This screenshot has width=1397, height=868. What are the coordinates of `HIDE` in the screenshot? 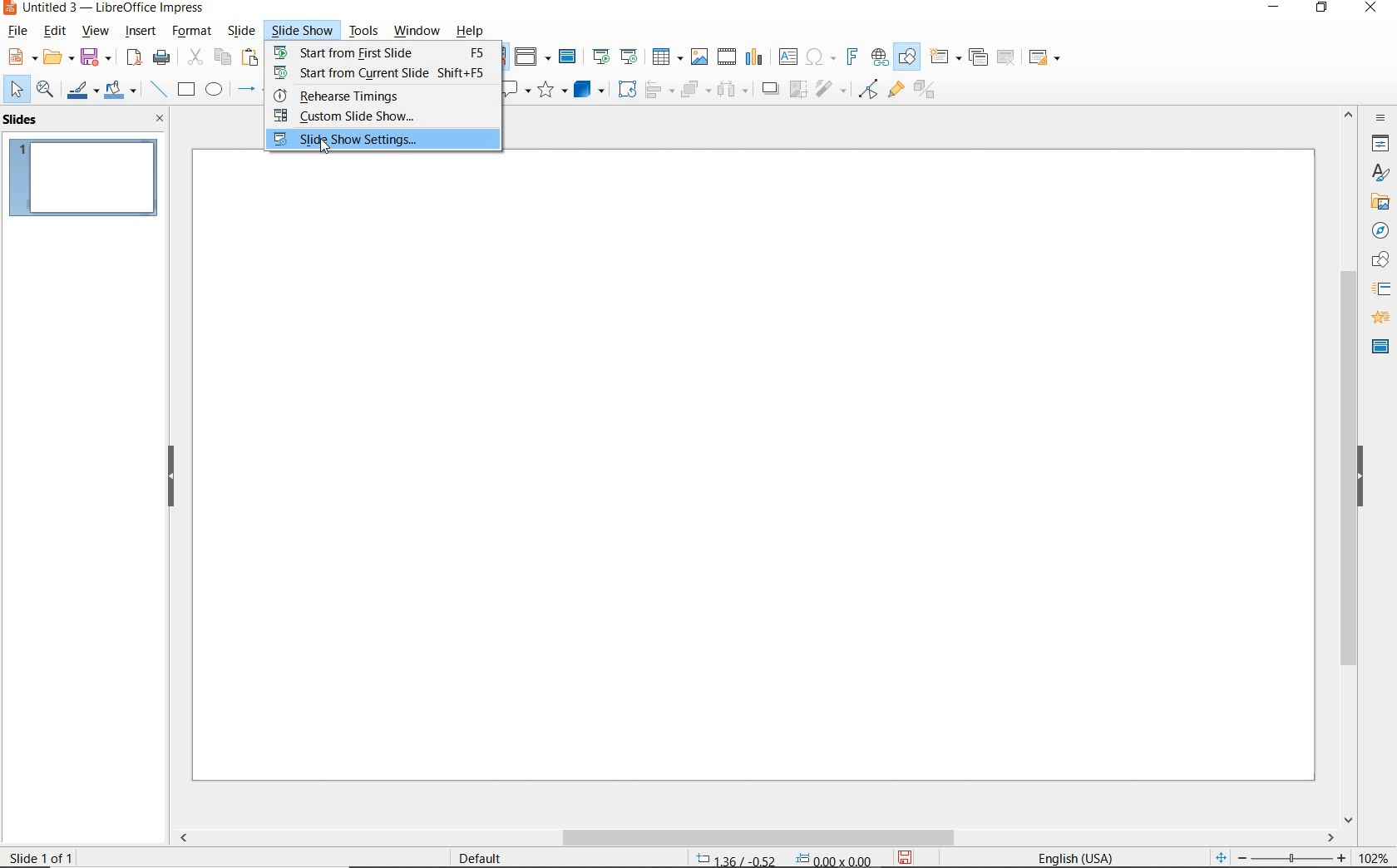 It's located at (170, 478).